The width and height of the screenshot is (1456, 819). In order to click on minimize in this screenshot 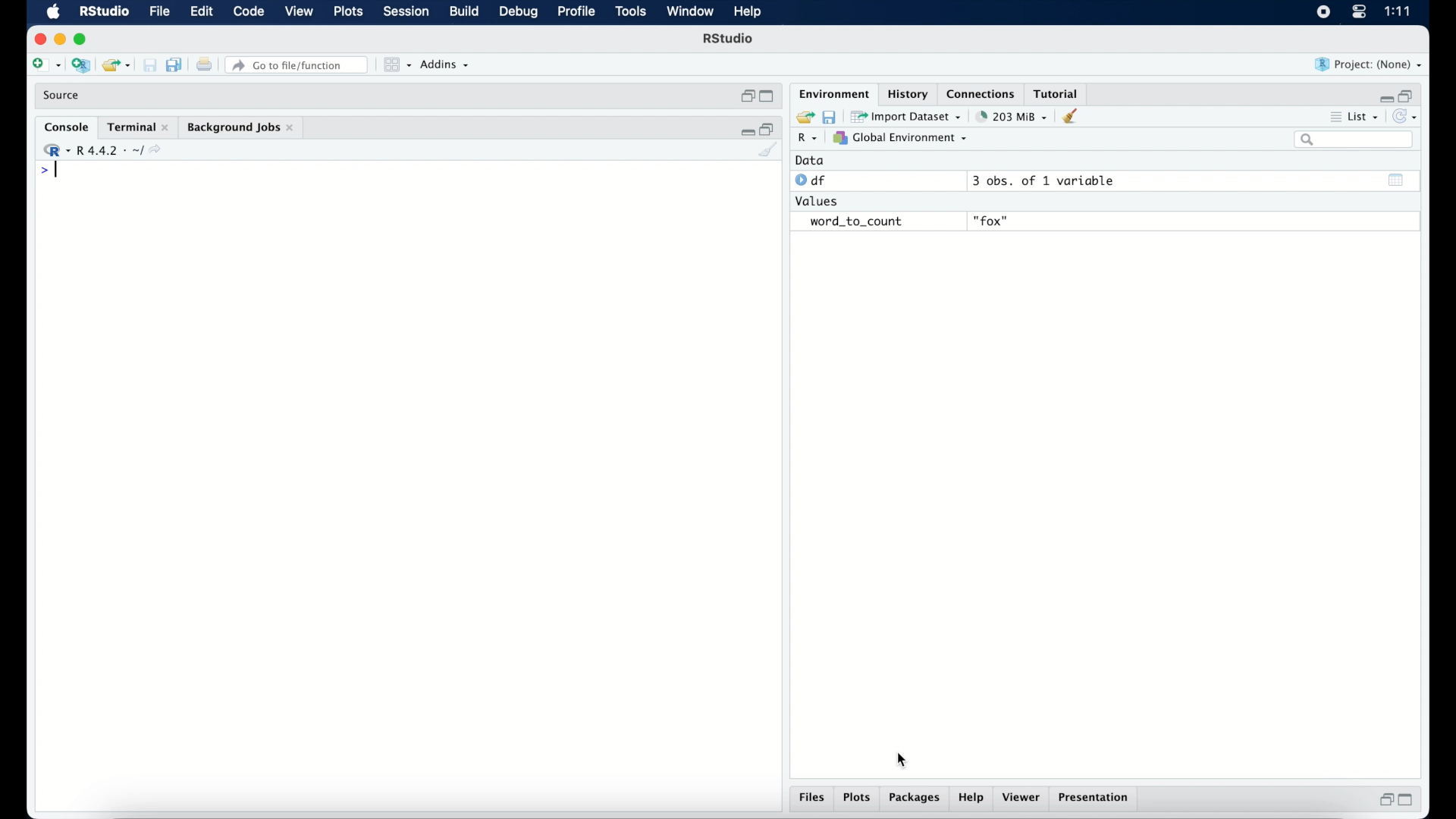, I will do `click(745, 130)`.